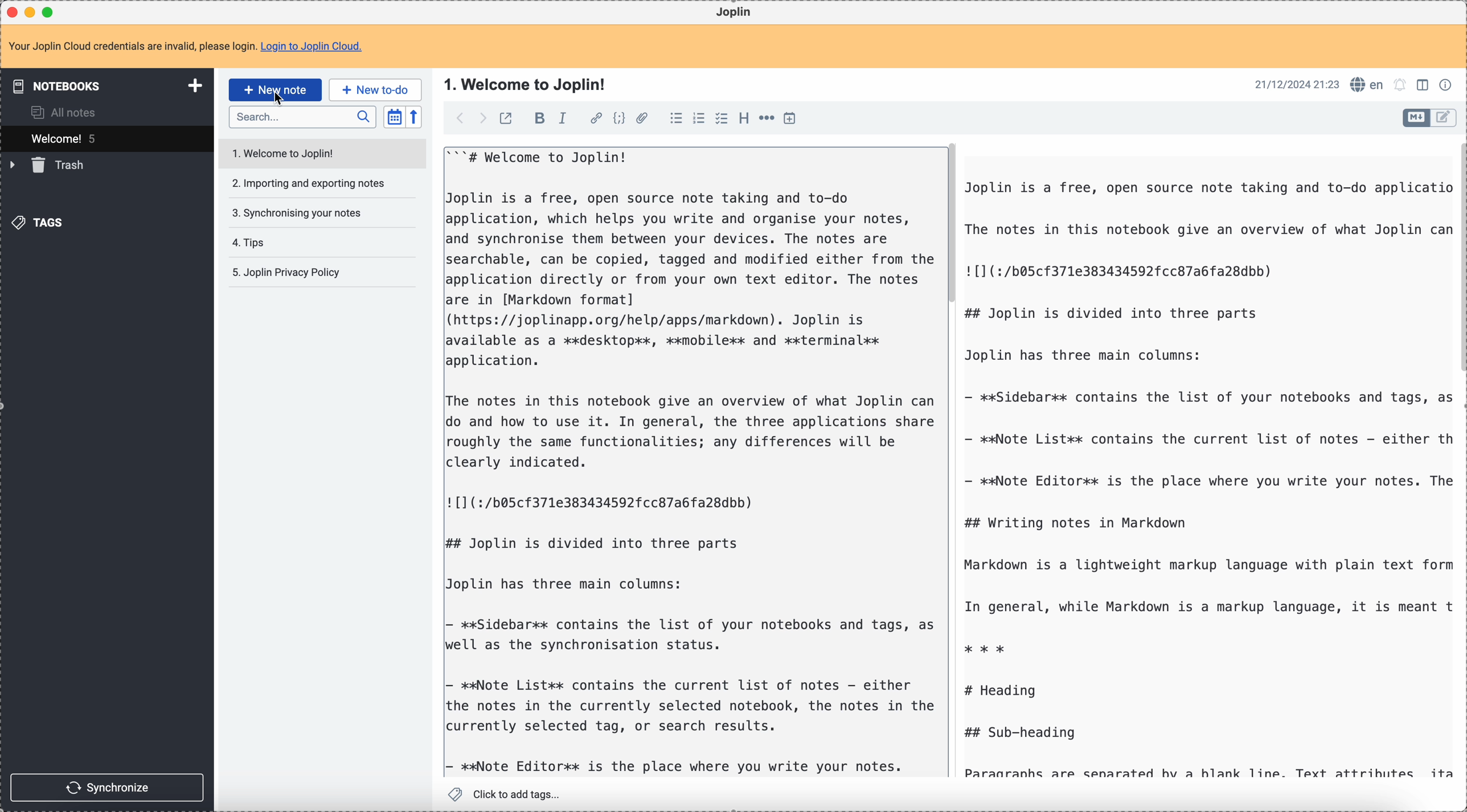 This screenshot has height=812, width=1467. Describe the element at coordinates (744, 121) in the screenshot. I see `heading` at that location.